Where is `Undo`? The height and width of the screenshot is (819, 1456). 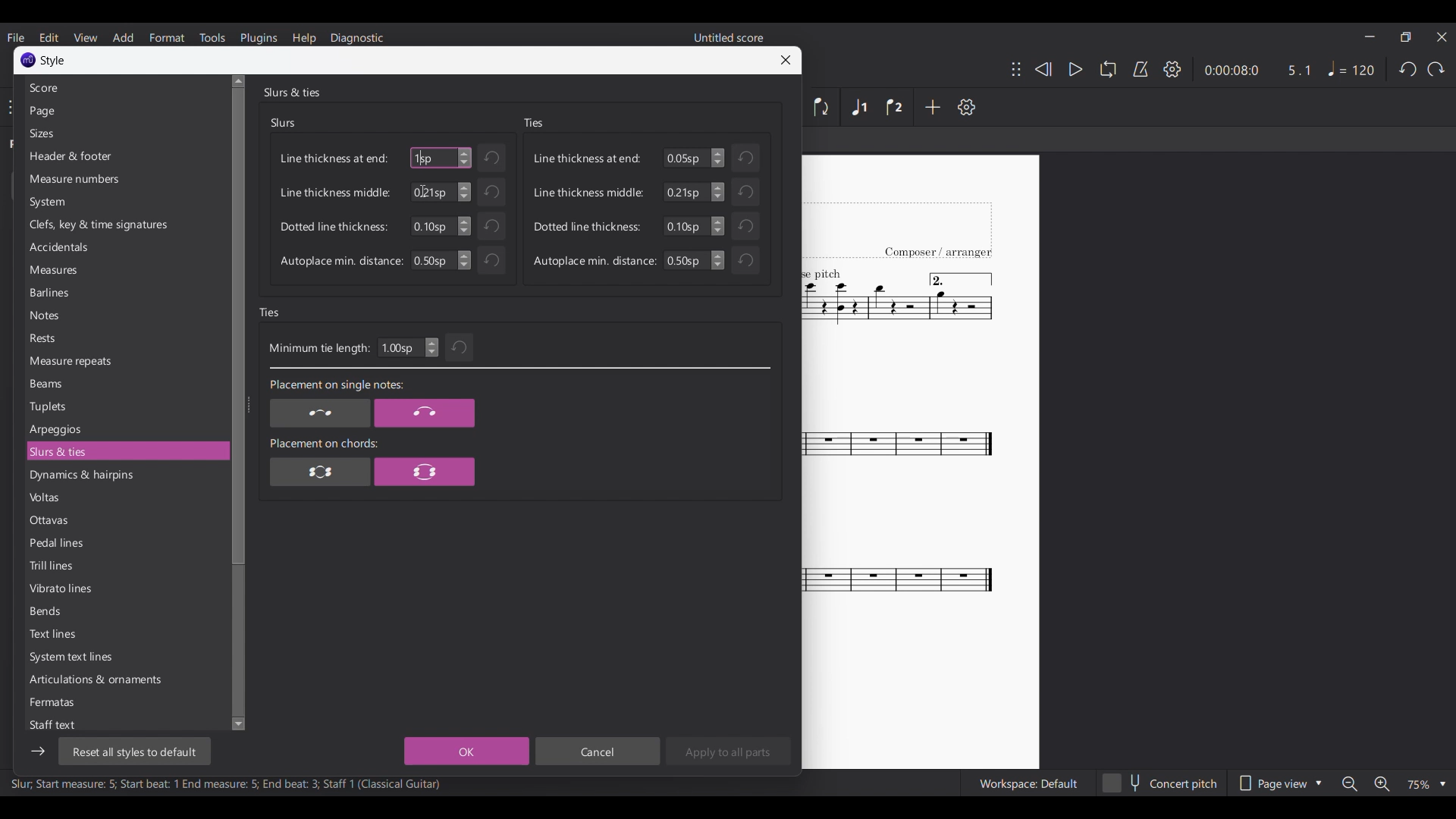 Undo is located at coordinates (745, 191).